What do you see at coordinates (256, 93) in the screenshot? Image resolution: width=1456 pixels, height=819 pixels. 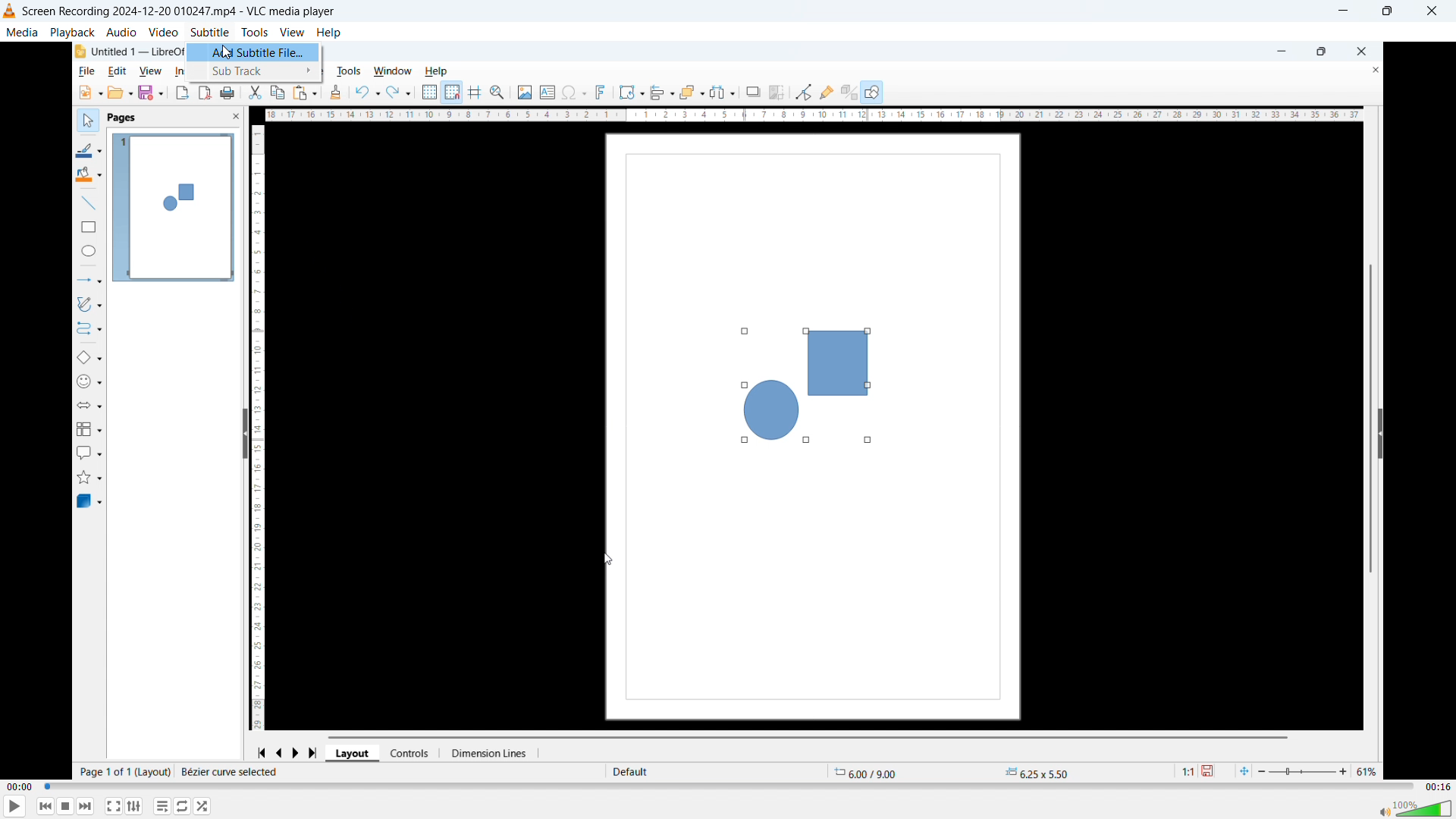 I see `cut` at bounding box center [256, 93].